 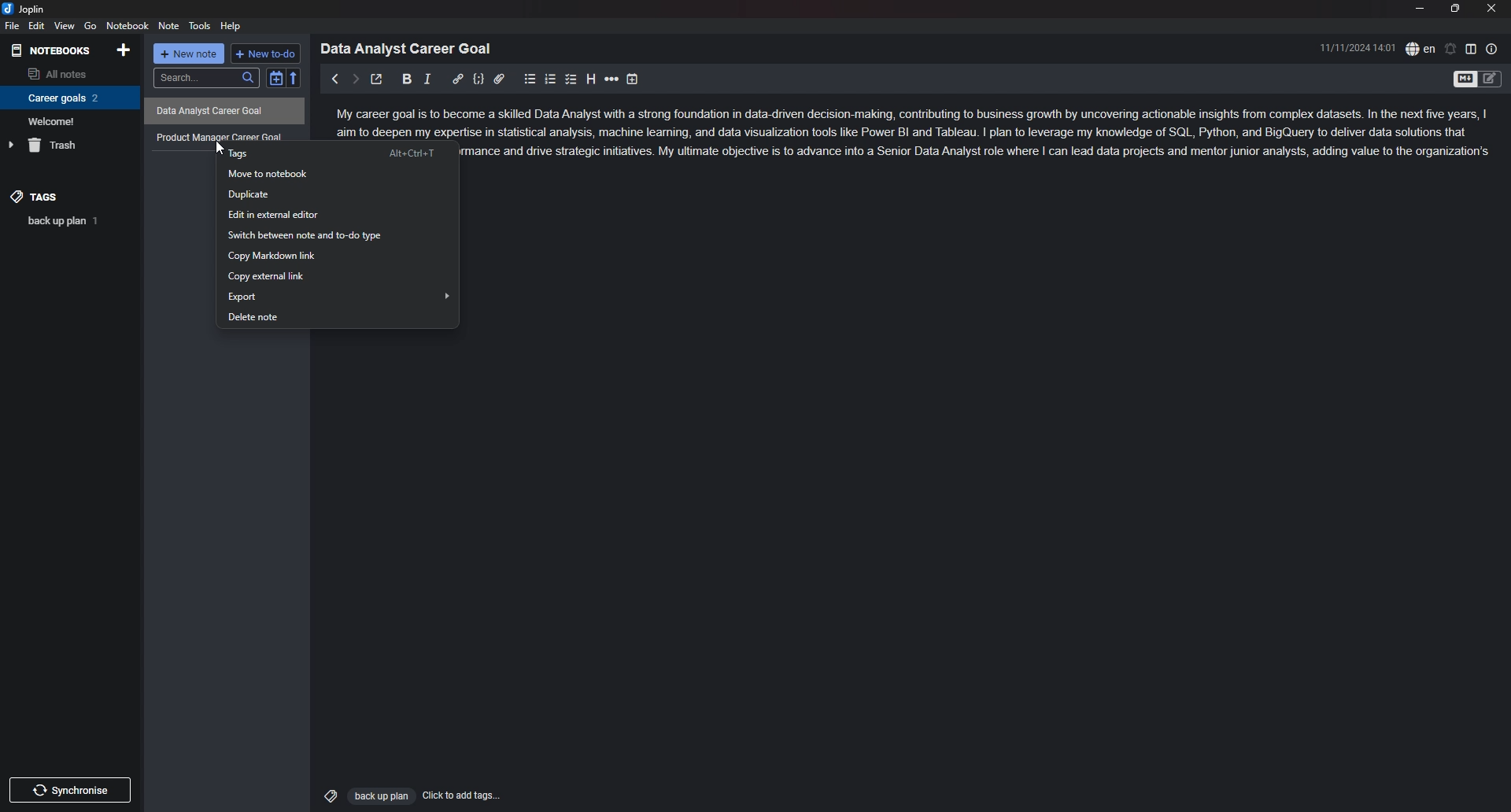 I want to click on toggle editor layout, so click(x=1471, y=48).